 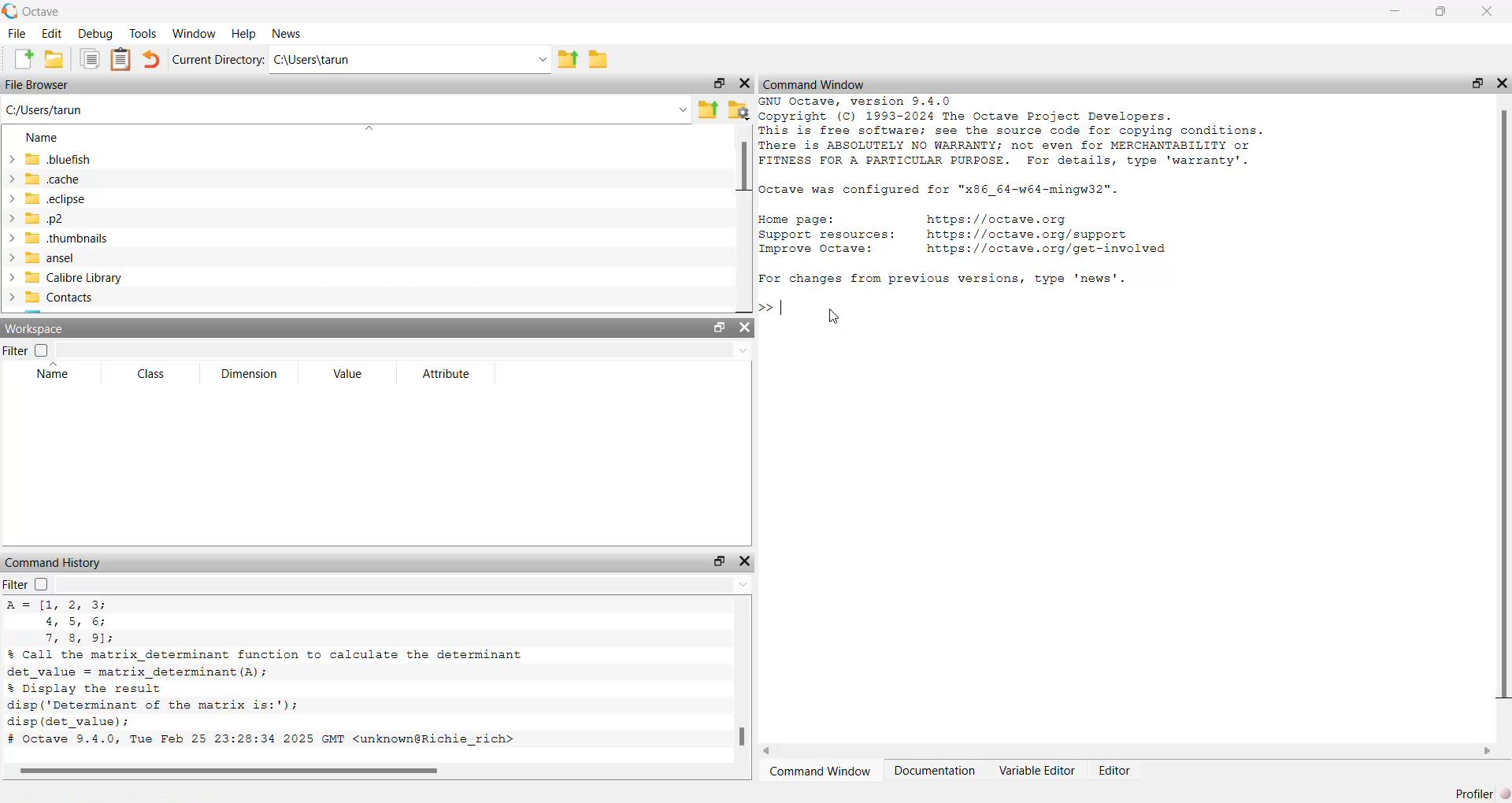 I want to click on close, so click(x=1501, y=84).